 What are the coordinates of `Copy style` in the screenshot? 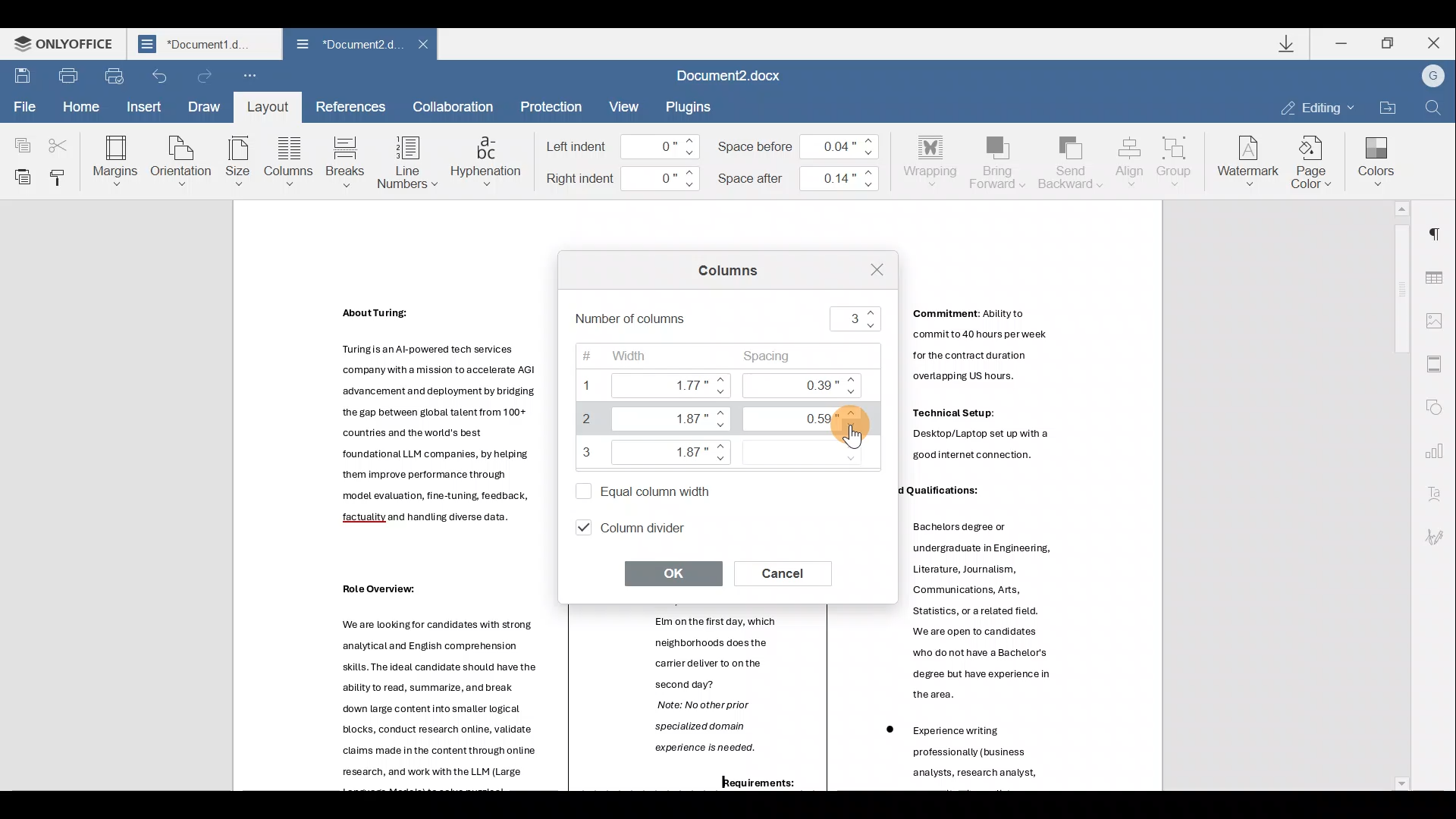 It's located at (60, 174).